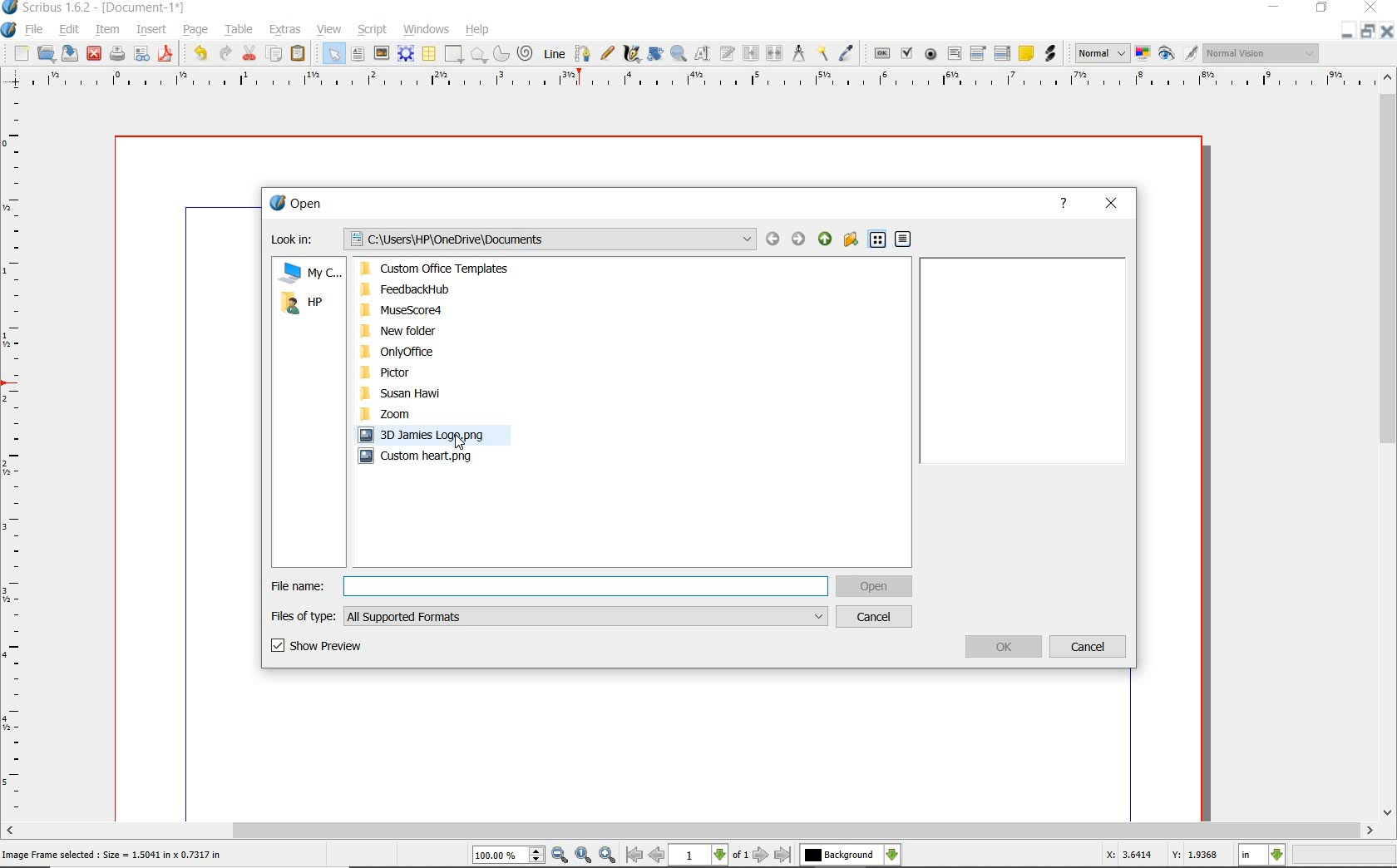  Describe the element at coordinates (35, 31) in the screenshot. I see `file` at that location.